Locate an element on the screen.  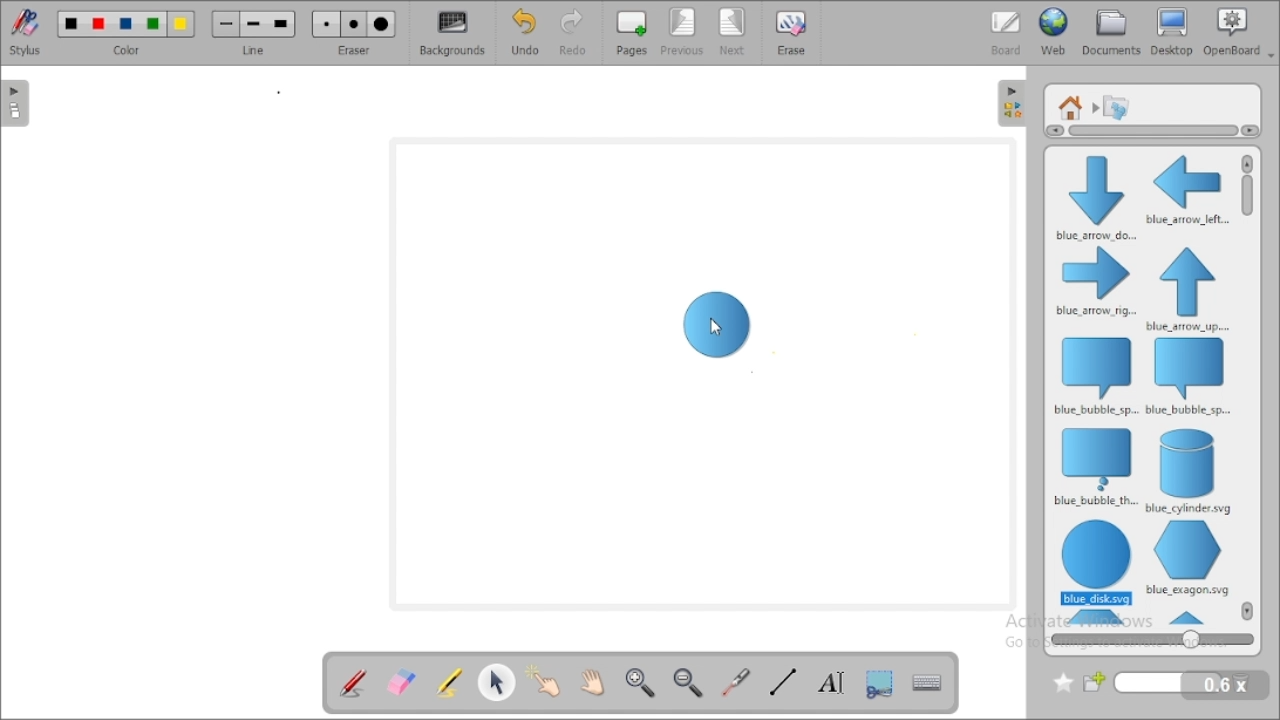
sidebar settings is located at coordinates (1012, 104).